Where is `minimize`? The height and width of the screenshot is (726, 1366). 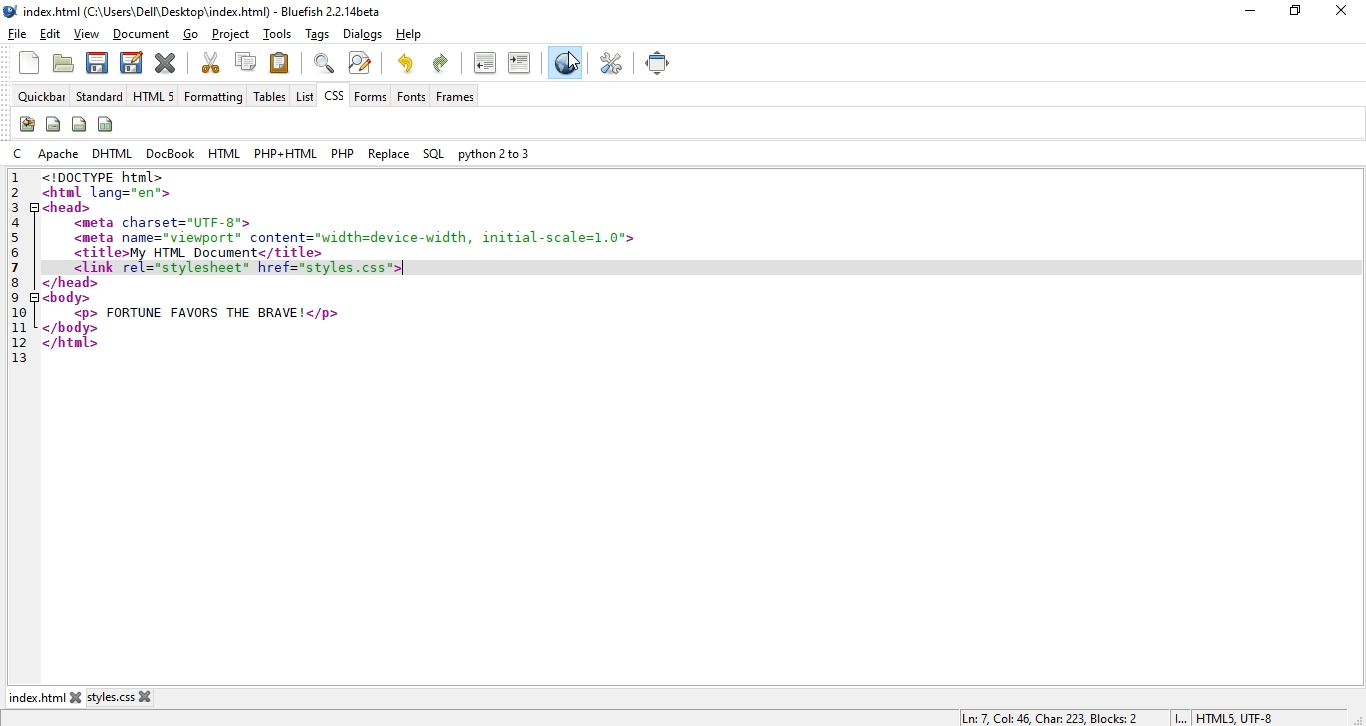
minimize is located at coordinates (1246, 11).